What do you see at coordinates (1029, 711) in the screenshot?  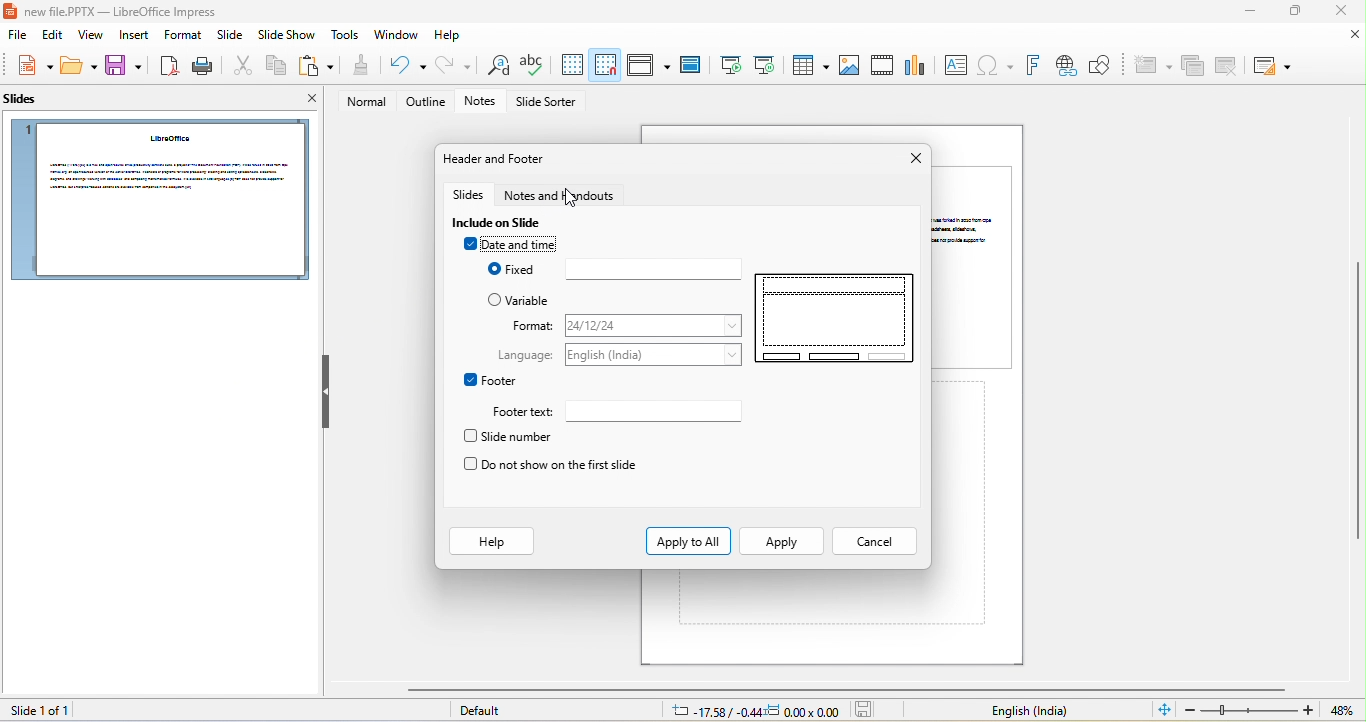 I see `text language` at bounding box center [1029, 711].